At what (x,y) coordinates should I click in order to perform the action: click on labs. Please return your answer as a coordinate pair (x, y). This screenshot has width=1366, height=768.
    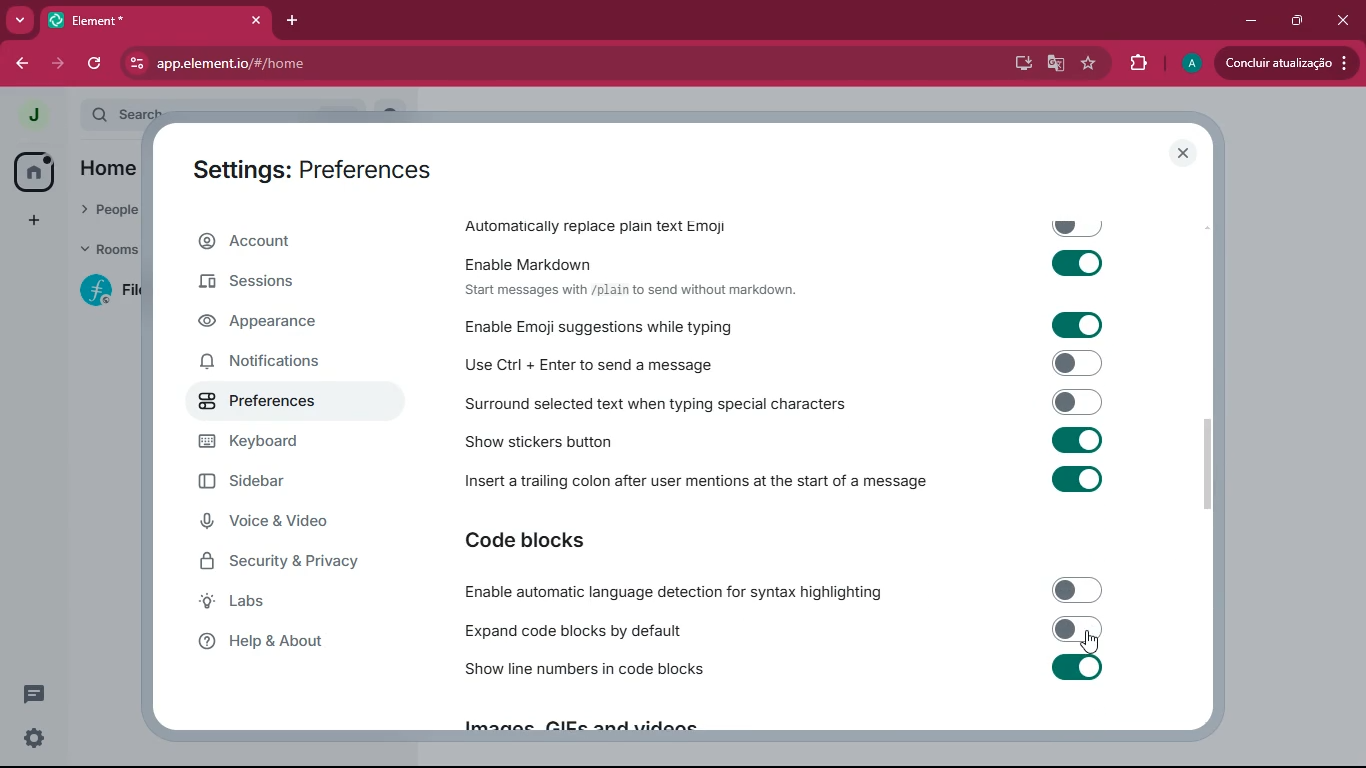
    Looking at the image, I should click on (289, 605).